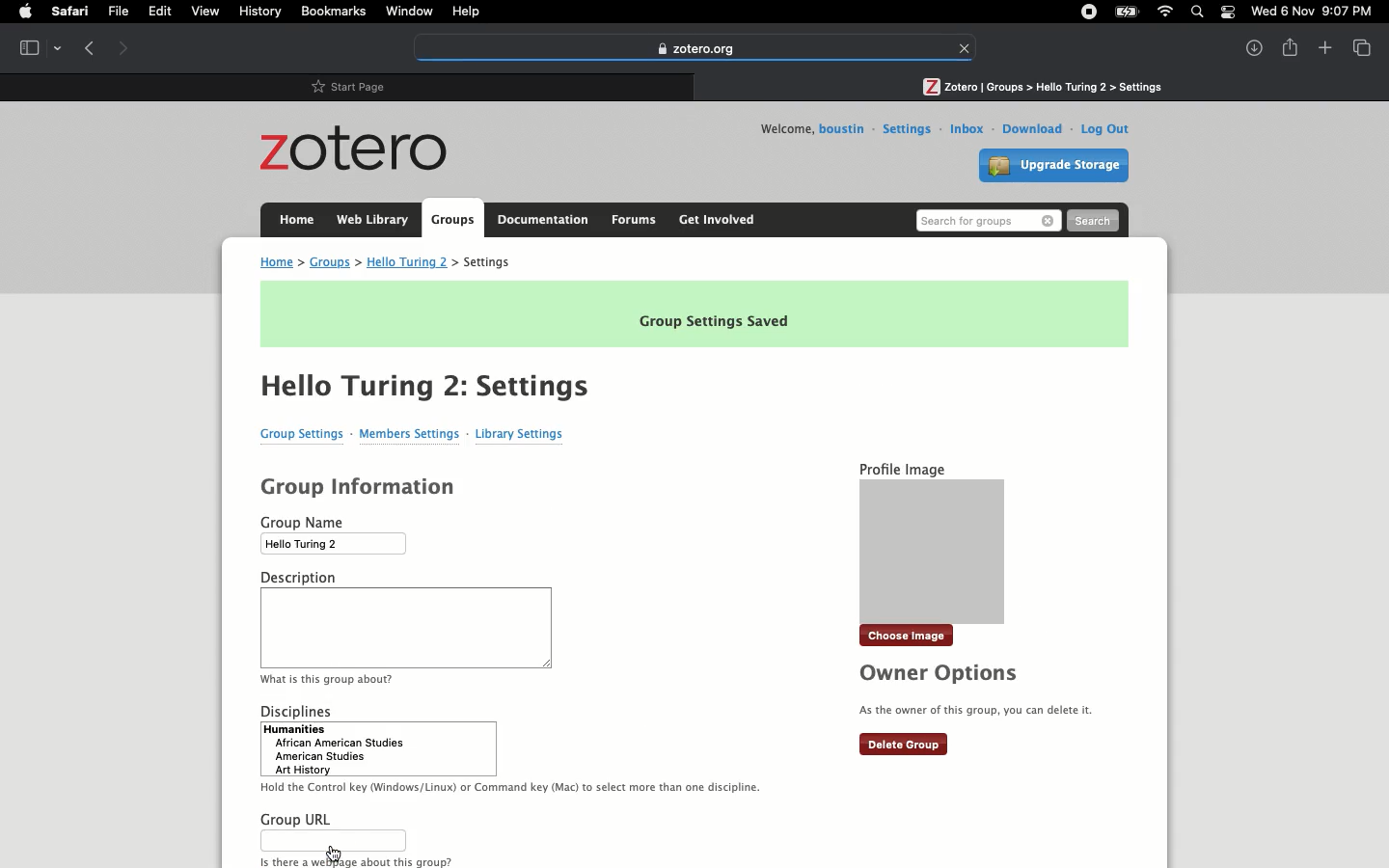  Describe the element at coordinates (467, 12) in the screenshot. I see `Help` at that location.